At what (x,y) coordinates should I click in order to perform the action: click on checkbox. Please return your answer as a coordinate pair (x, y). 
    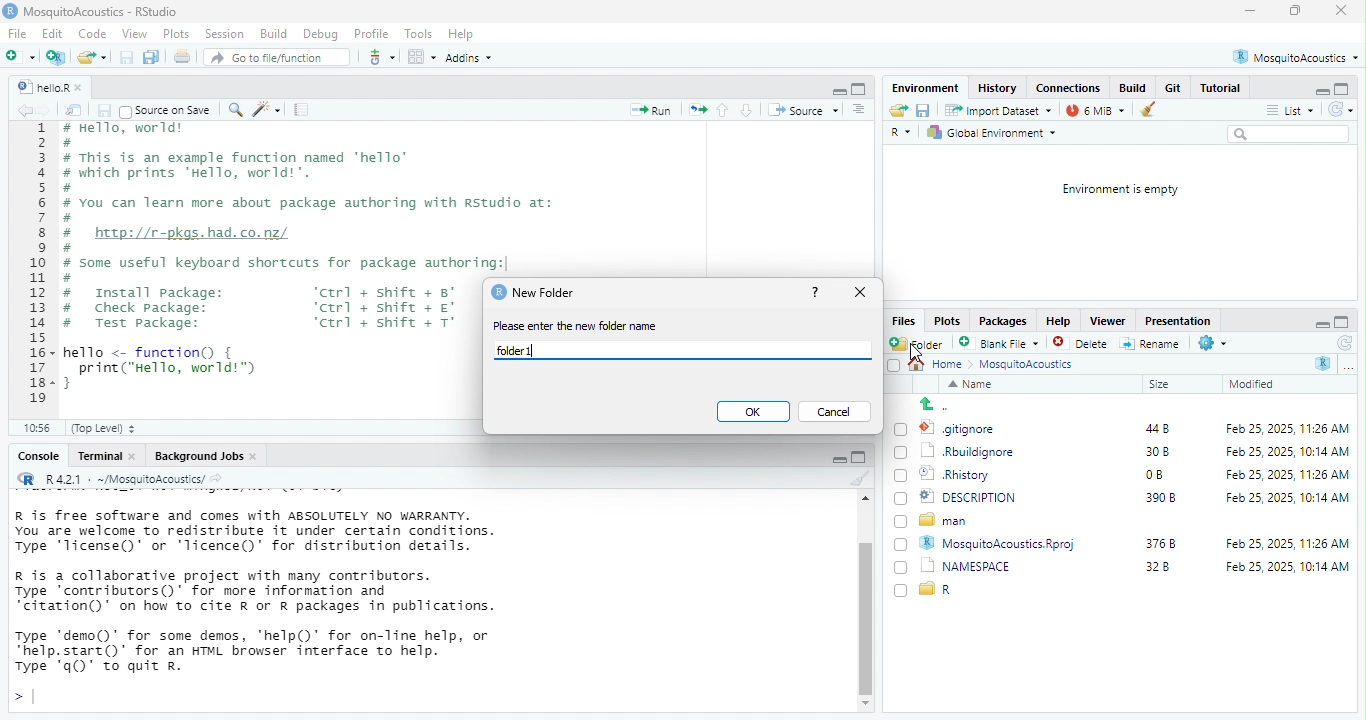
    Looking at the image, I should click on (900, 544).